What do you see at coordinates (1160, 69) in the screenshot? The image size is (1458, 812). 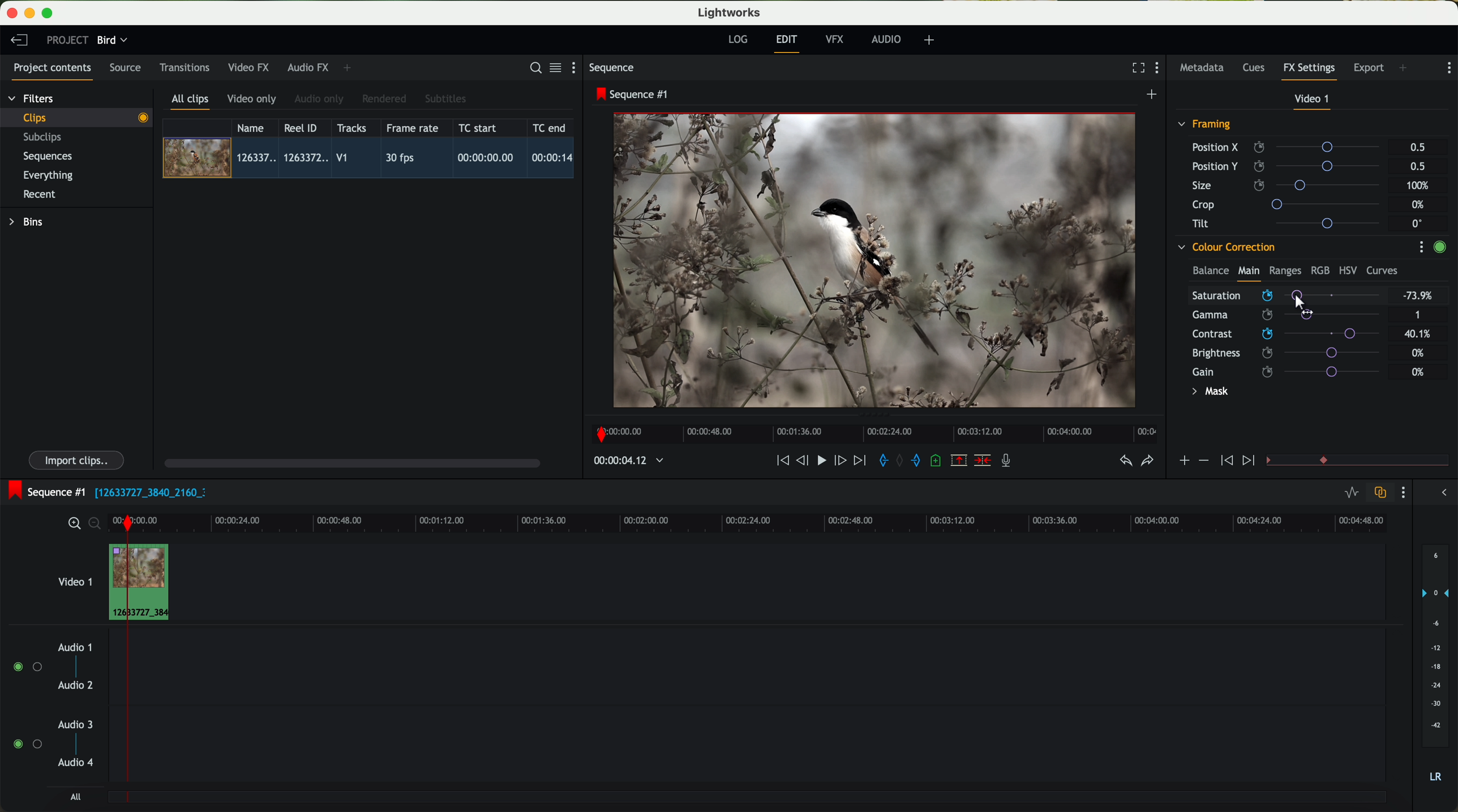 I see `show settings menu` at bounding box center [1160, 69].